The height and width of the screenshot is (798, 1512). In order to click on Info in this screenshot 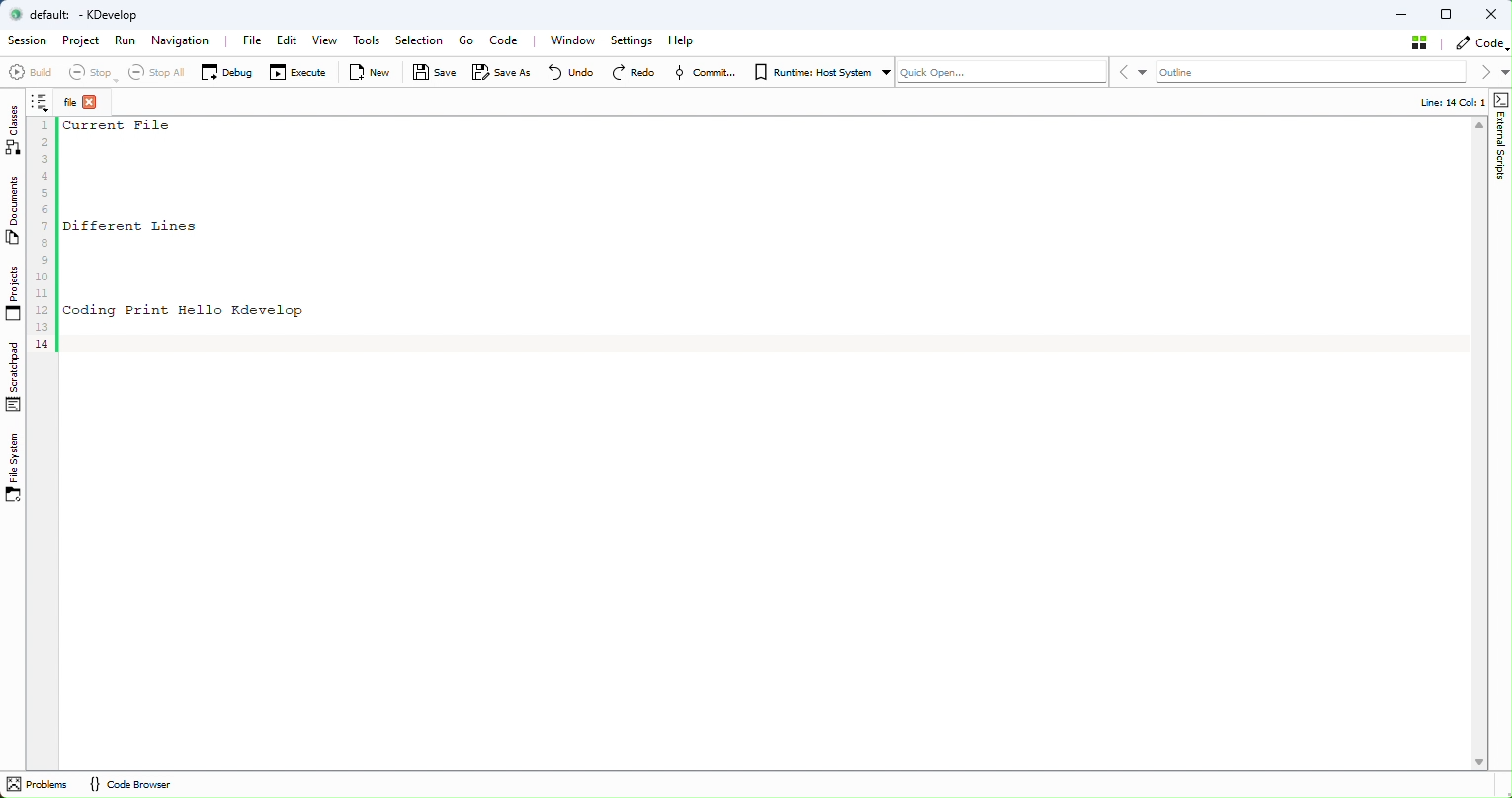, I will do `click(1443, 102)`.